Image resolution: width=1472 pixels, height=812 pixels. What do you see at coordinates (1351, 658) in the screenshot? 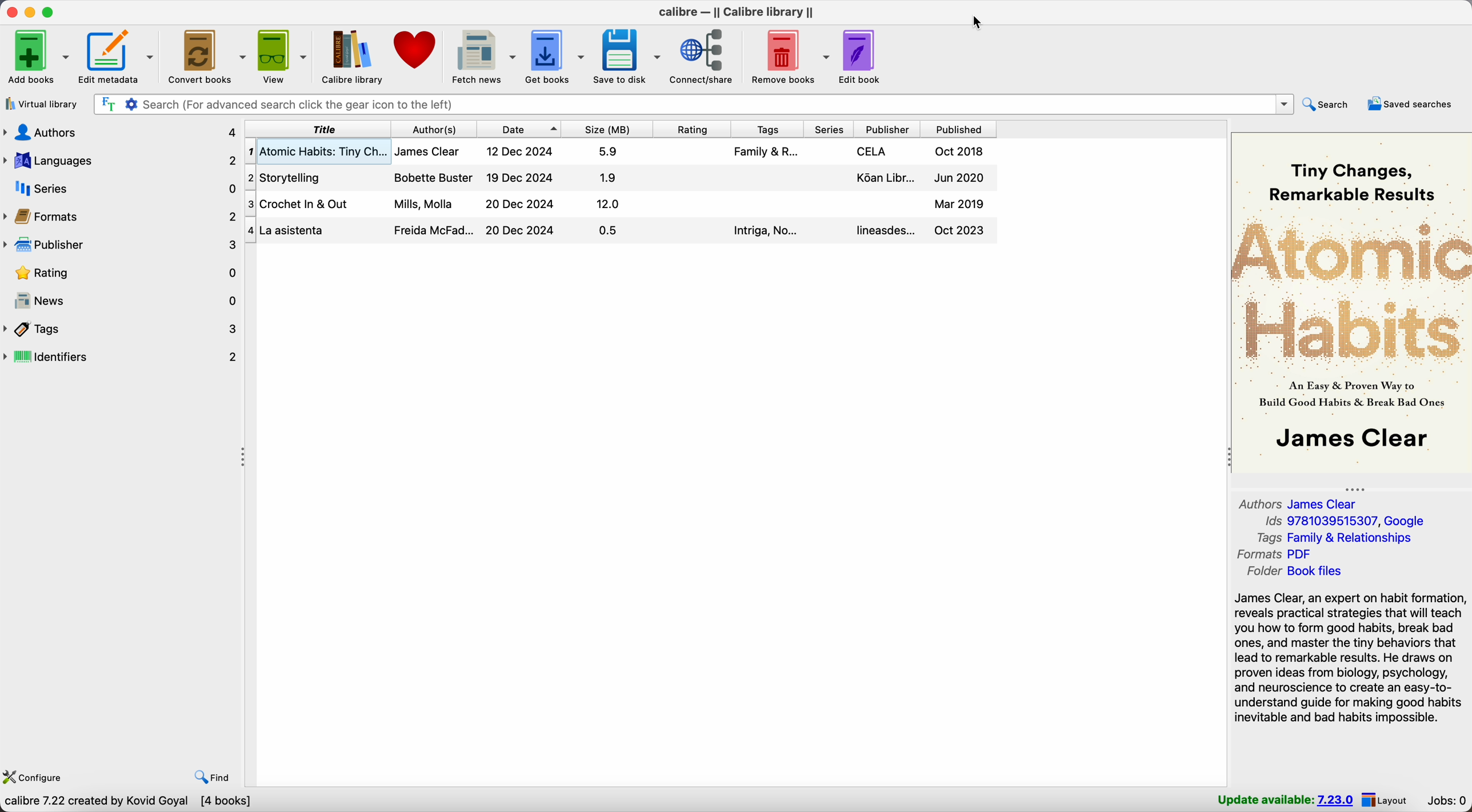
I see `James Clear, an expert on habit formation, reveals practical strategies that will teach you how to form good habits, break bad ones, and master the tiny behaviors...` at bounding box center [1351, 658].